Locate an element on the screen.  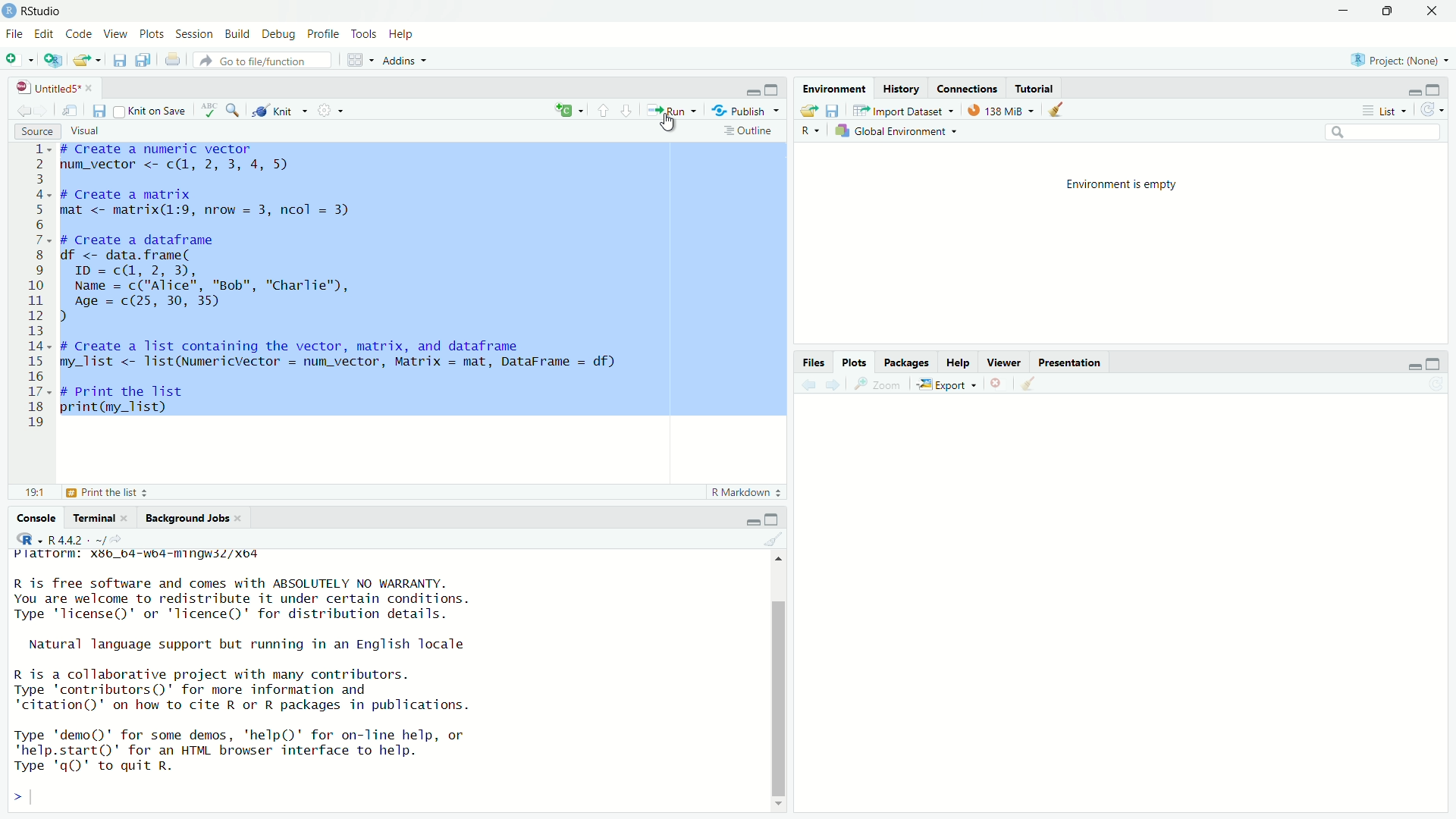
R Markdown + is located at coordinates (750, 494).